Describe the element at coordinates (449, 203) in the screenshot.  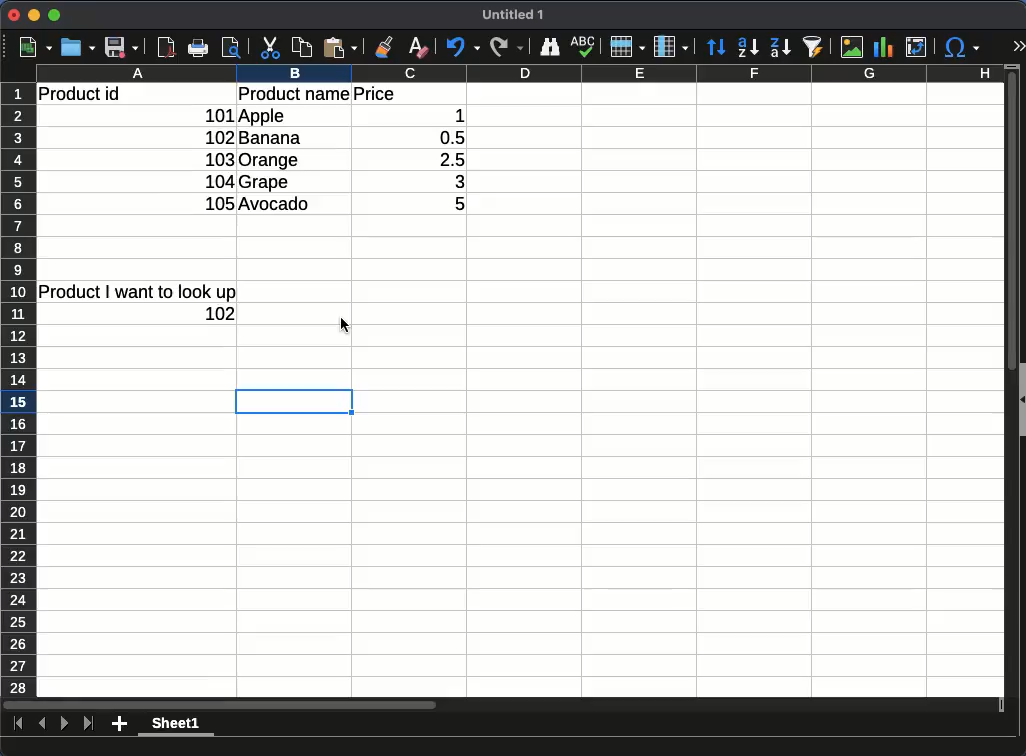
I see `5` at that location.